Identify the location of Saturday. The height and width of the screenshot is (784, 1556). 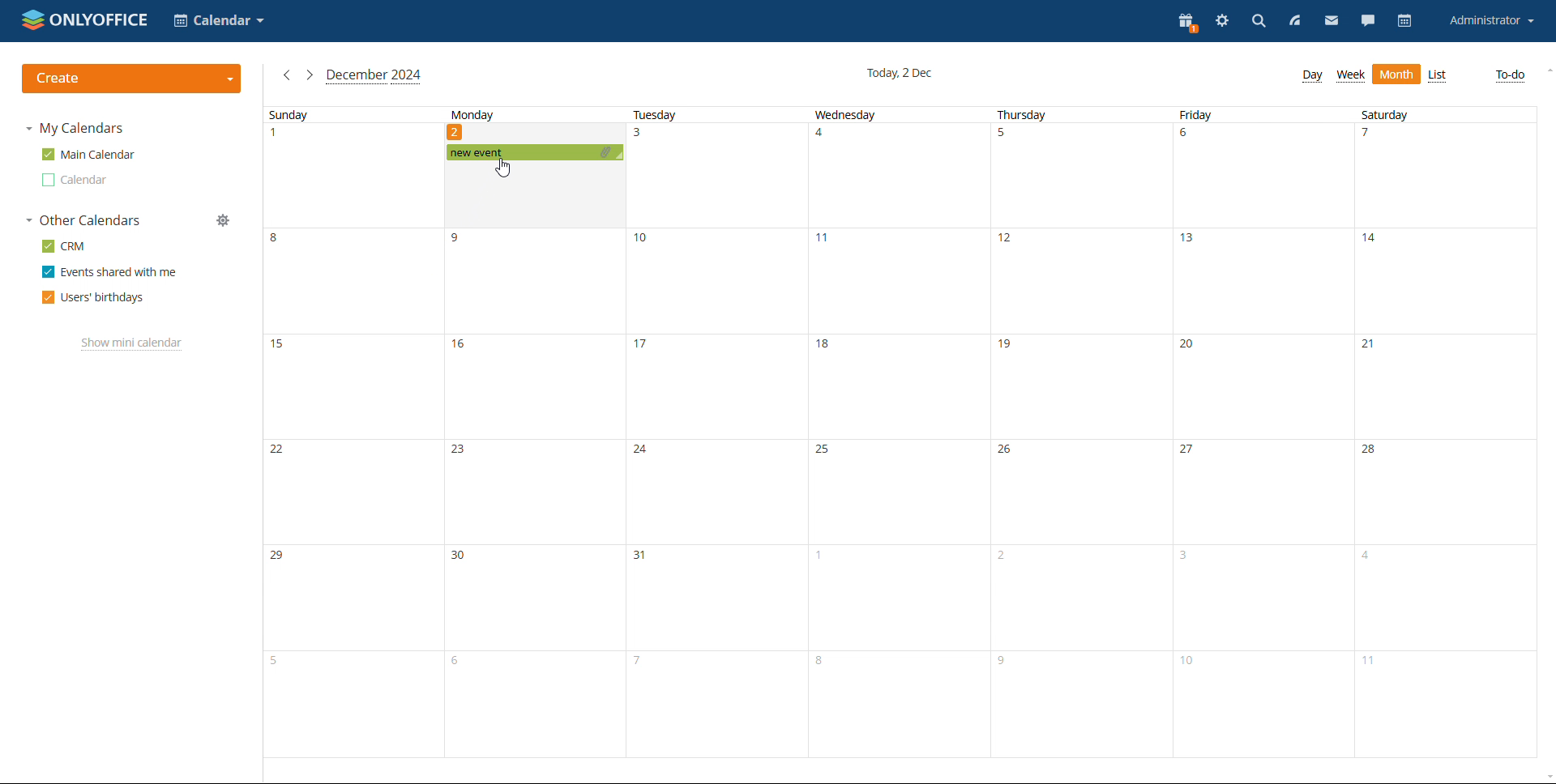
(1386, 114).